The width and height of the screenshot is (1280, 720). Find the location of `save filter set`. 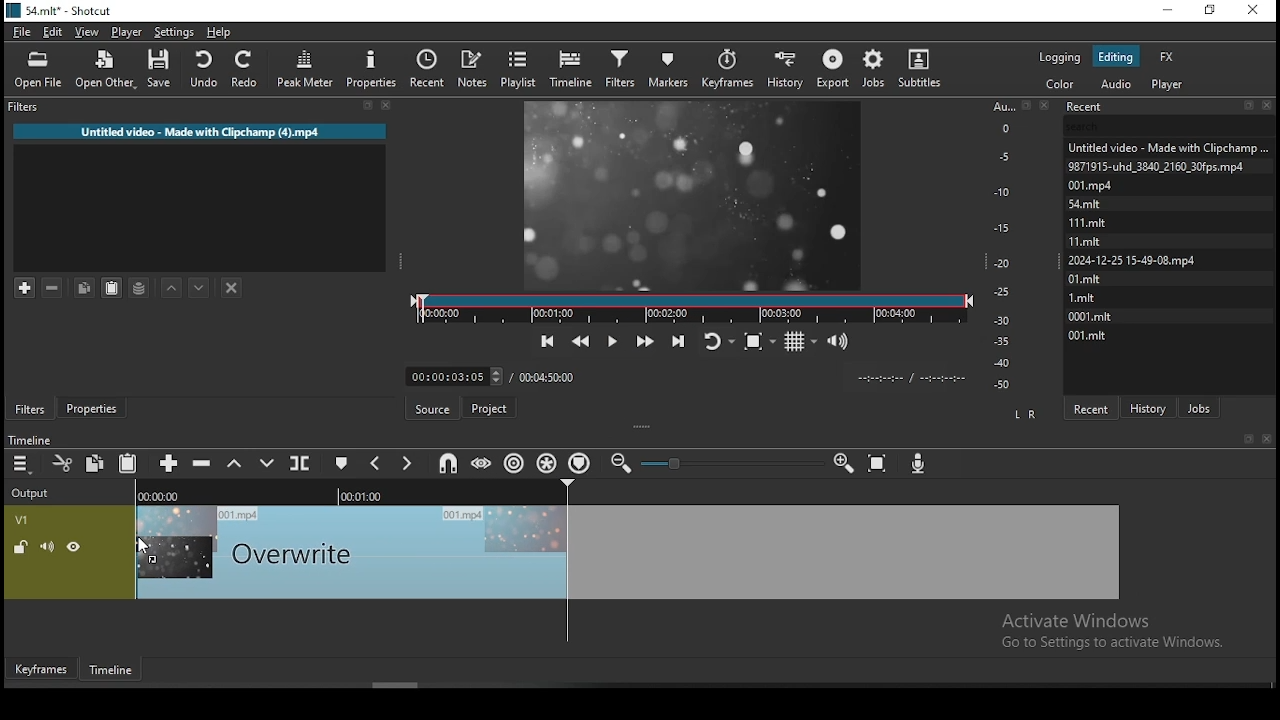

save filter set is located at coordinates (140, 288).